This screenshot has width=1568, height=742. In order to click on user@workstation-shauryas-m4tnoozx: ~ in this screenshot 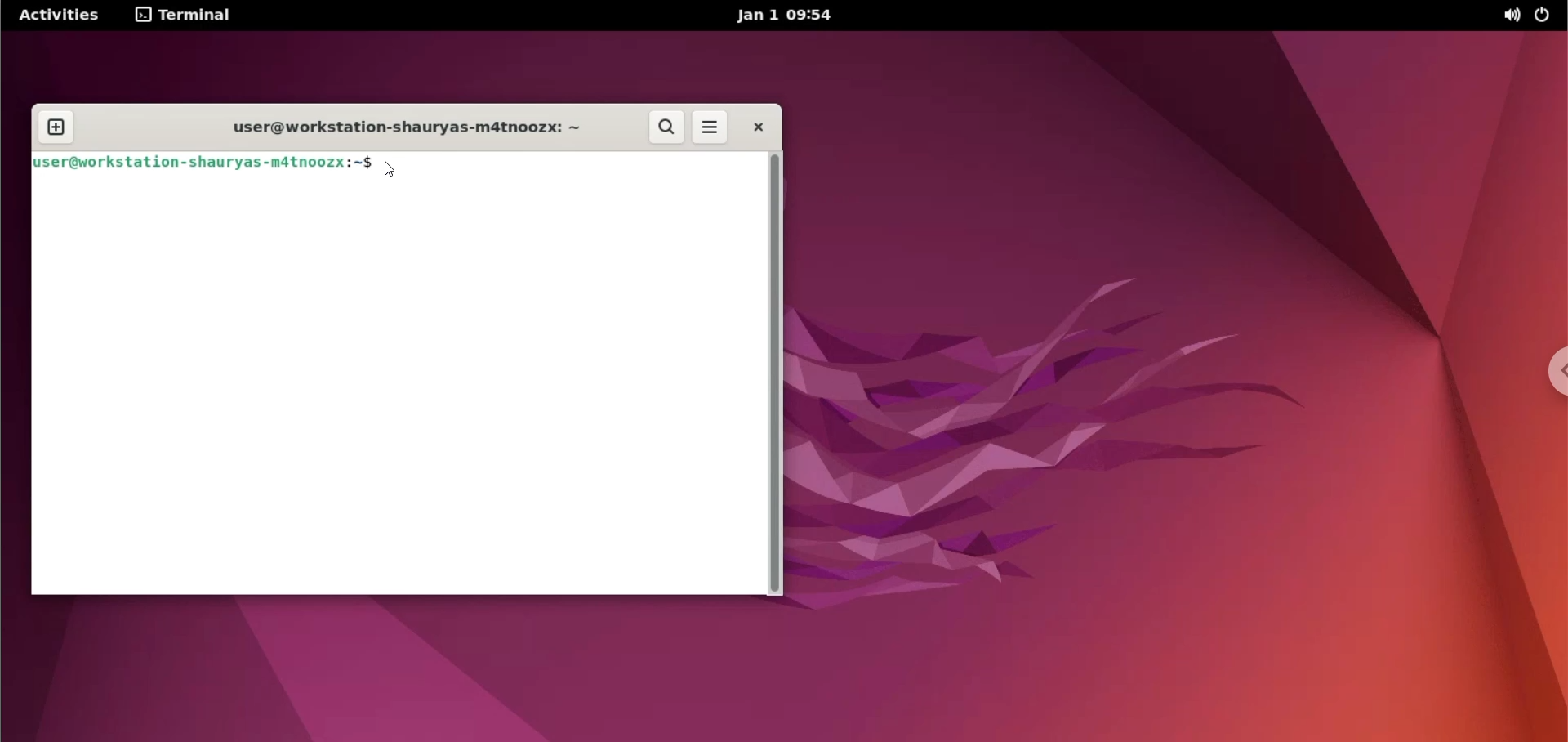, I will do `click(391, 126)`.